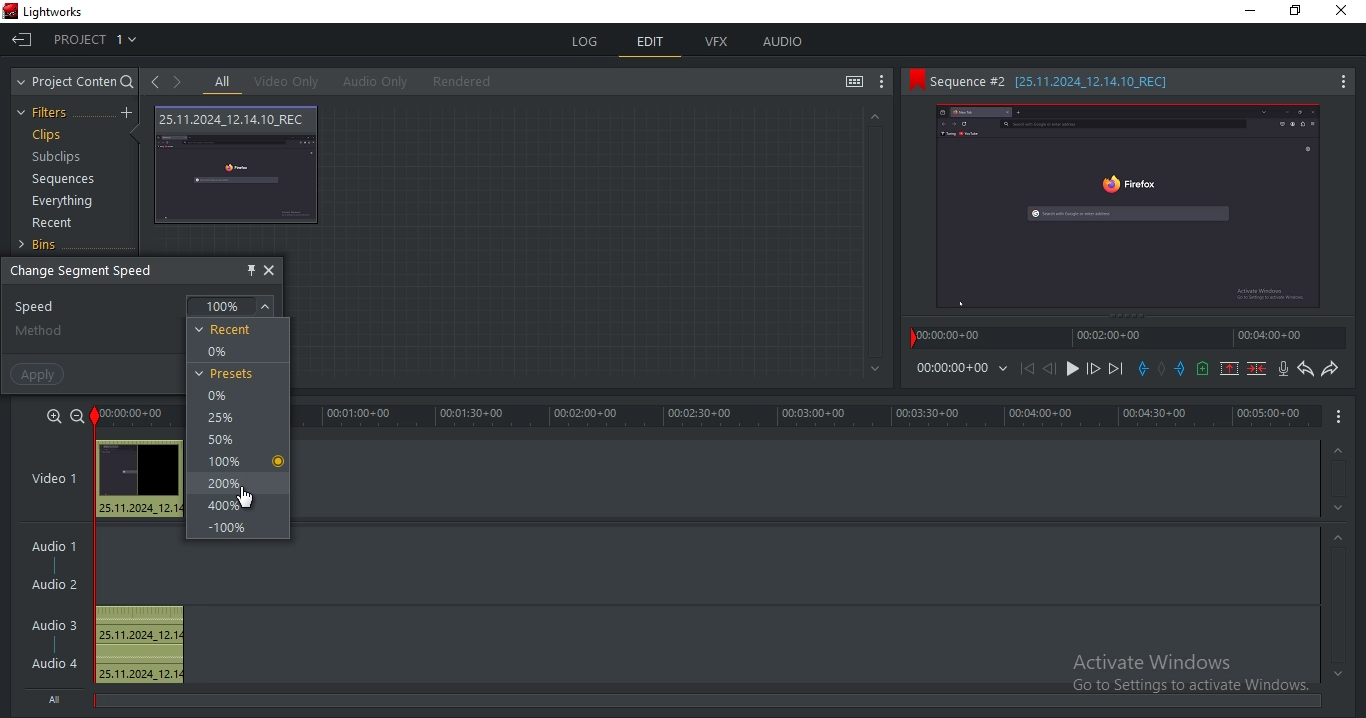 This screenshot has width=1366, height=718. I want to click on start/stop playback, so click(1073, 369).